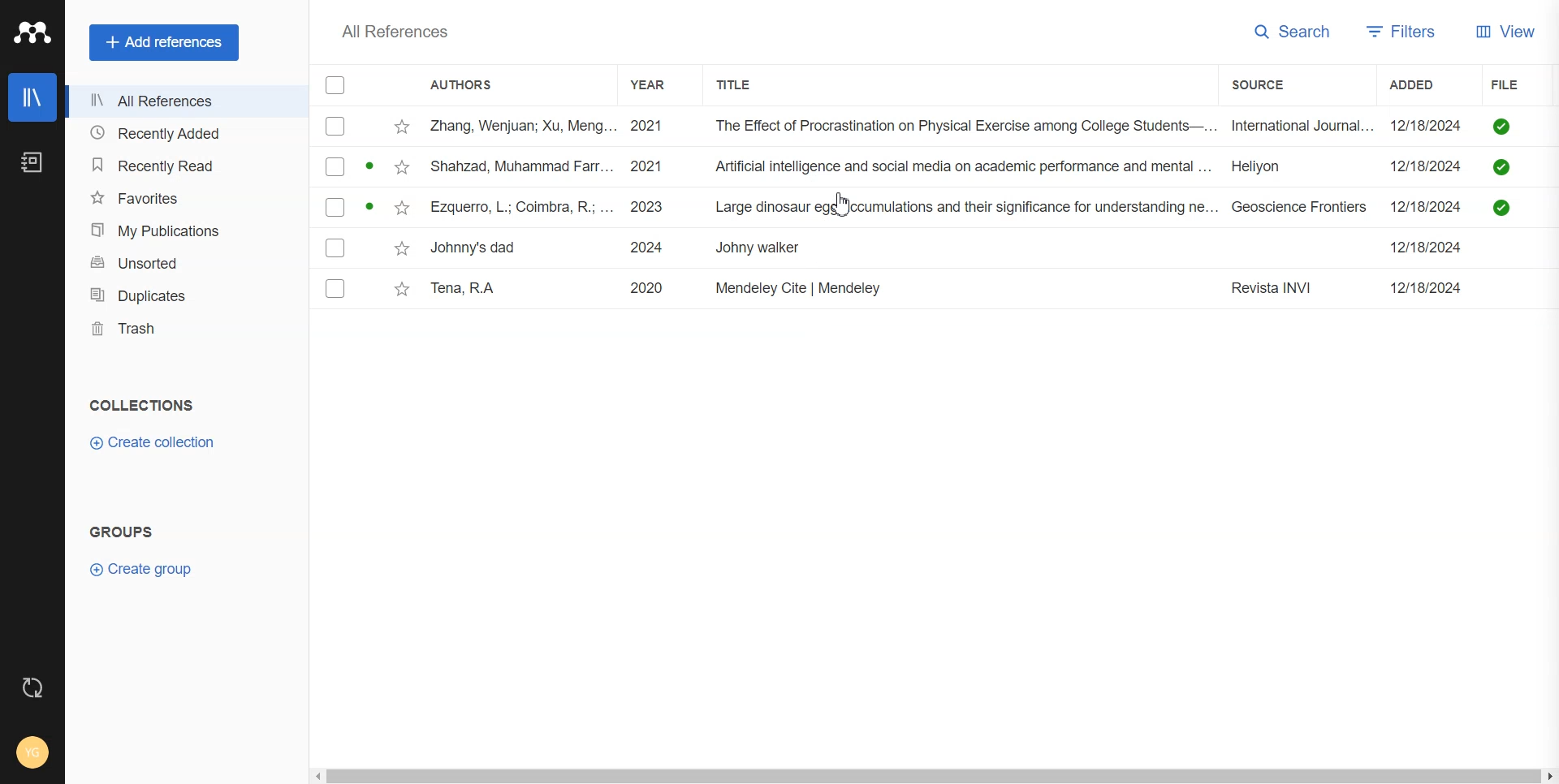  I want to click on star, so click(403, 207).